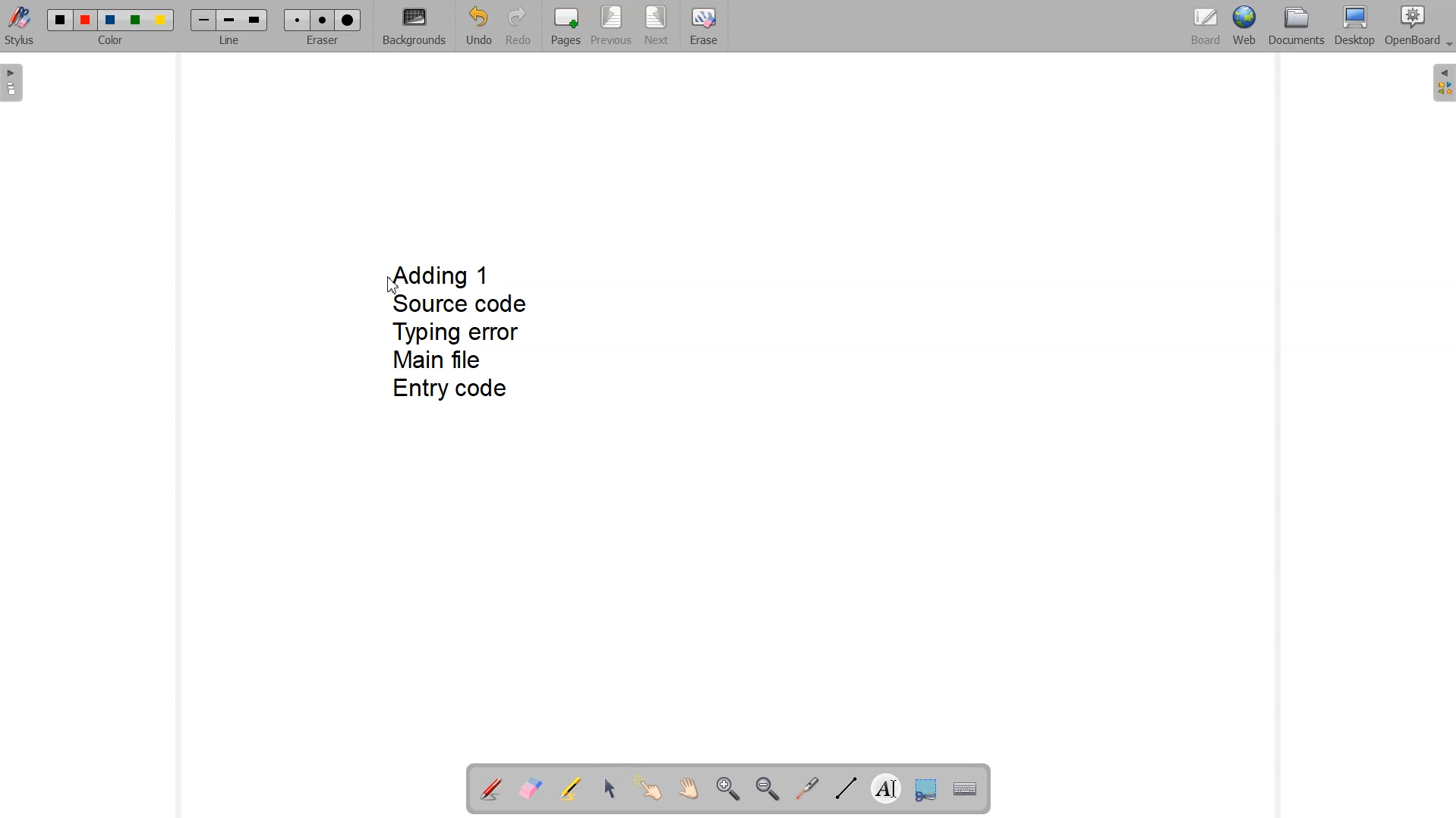 The height and width of the screenshot is (818, 1456). Describe the element at coordinates (767, 788) in the screenshot. I see `Zoom out` at that location.